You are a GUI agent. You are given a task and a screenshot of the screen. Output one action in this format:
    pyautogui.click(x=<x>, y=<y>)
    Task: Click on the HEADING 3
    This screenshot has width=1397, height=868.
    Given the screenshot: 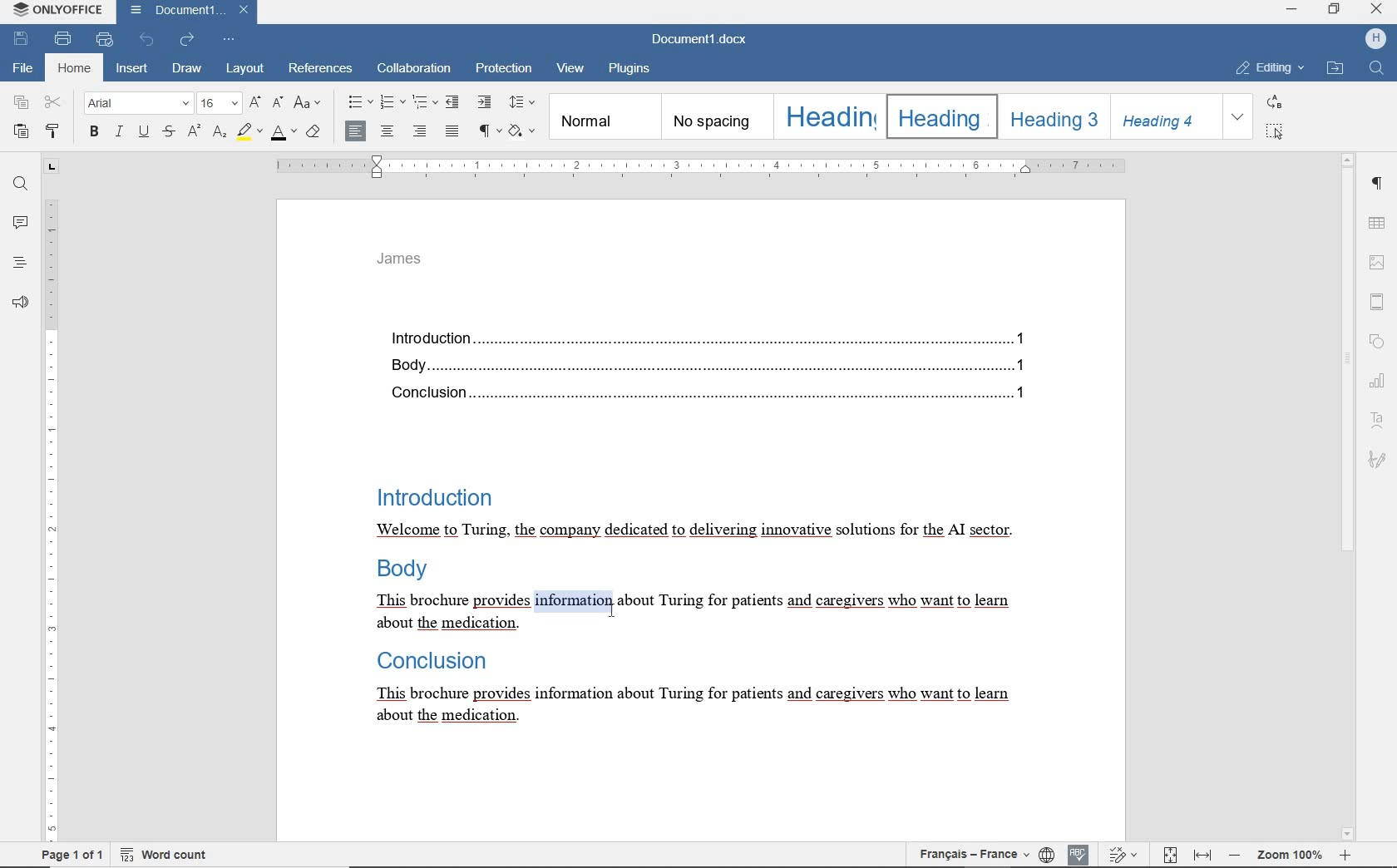 What is the action you would take?
    pyautogui.click(x=1052, y=116)
    